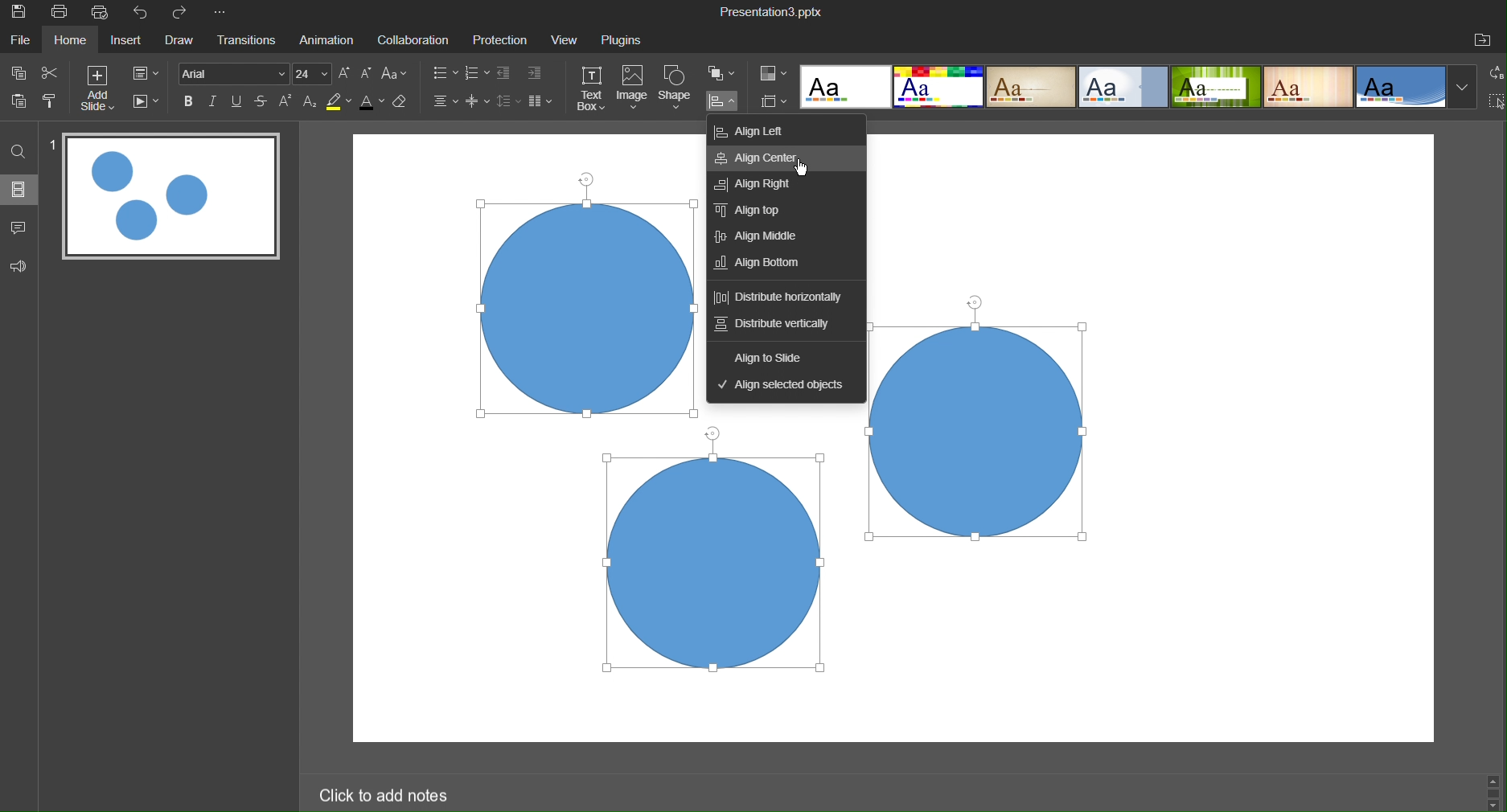  Describe the element at coordinates (53, 107) in the screenshot. I see `Copy Style` at that location.